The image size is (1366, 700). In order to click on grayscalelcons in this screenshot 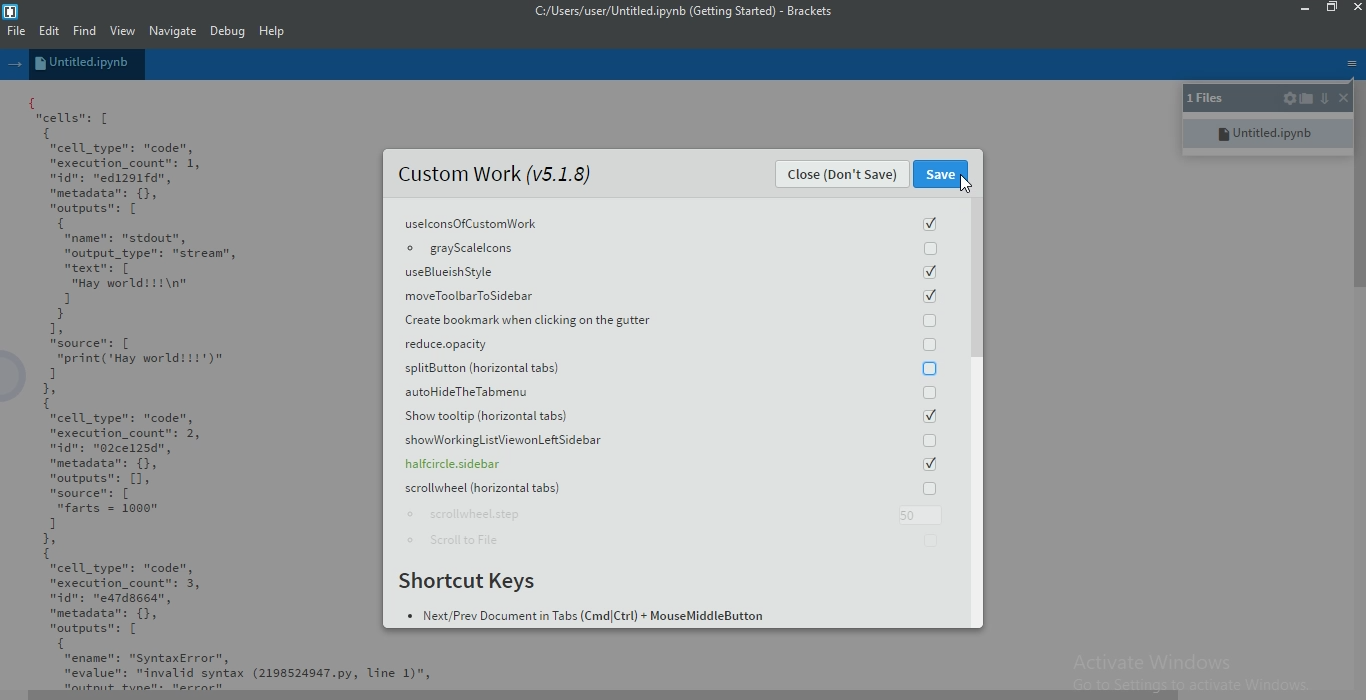, I will do `click(680, 248)`.